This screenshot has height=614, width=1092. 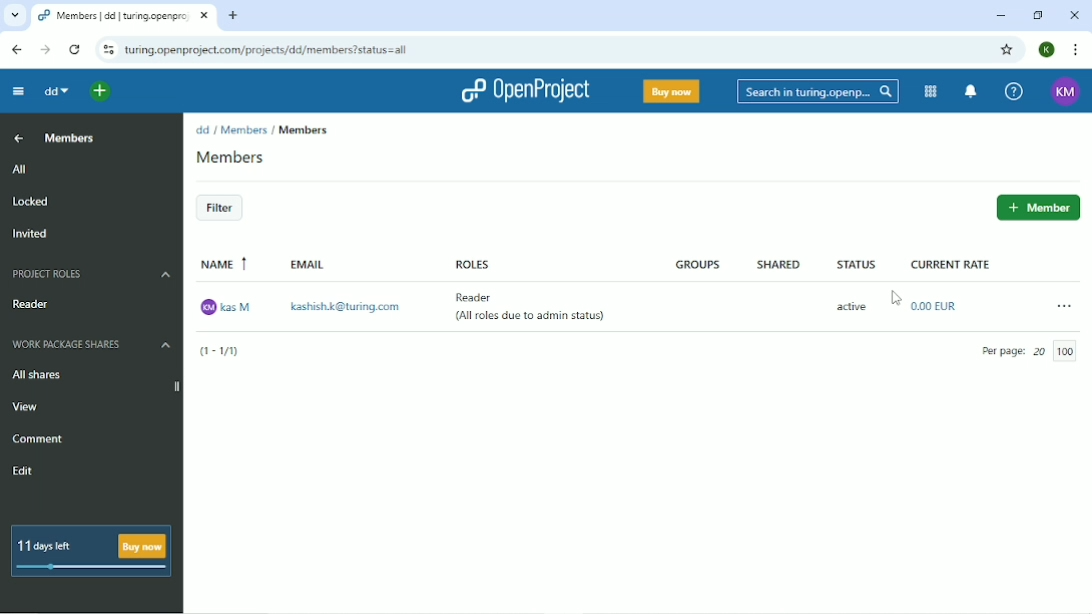 I want to click on members, so click(x=309, y=128).